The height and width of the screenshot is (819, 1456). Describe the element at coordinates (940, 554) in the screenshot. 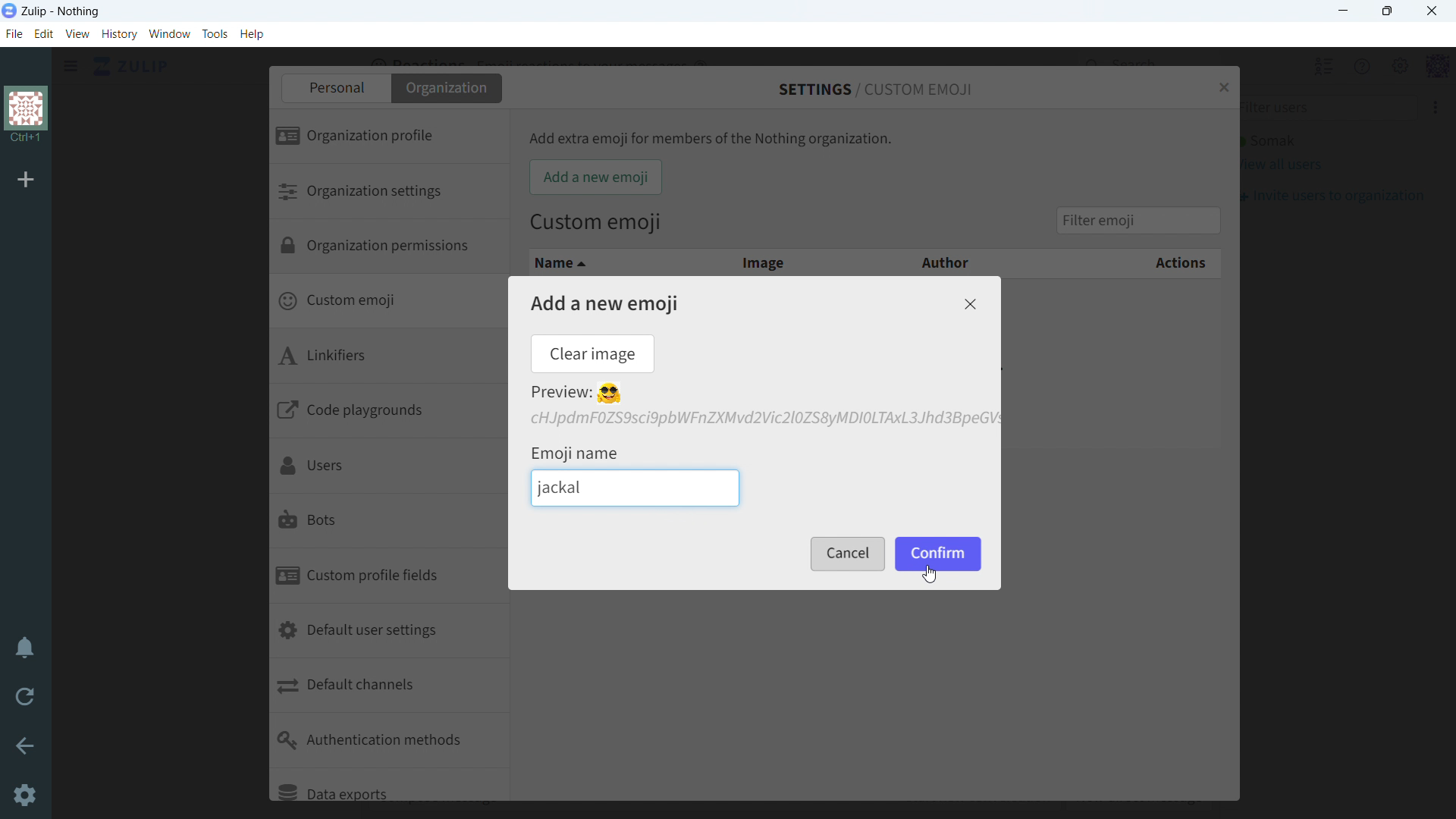

I see `confirm` at that location.